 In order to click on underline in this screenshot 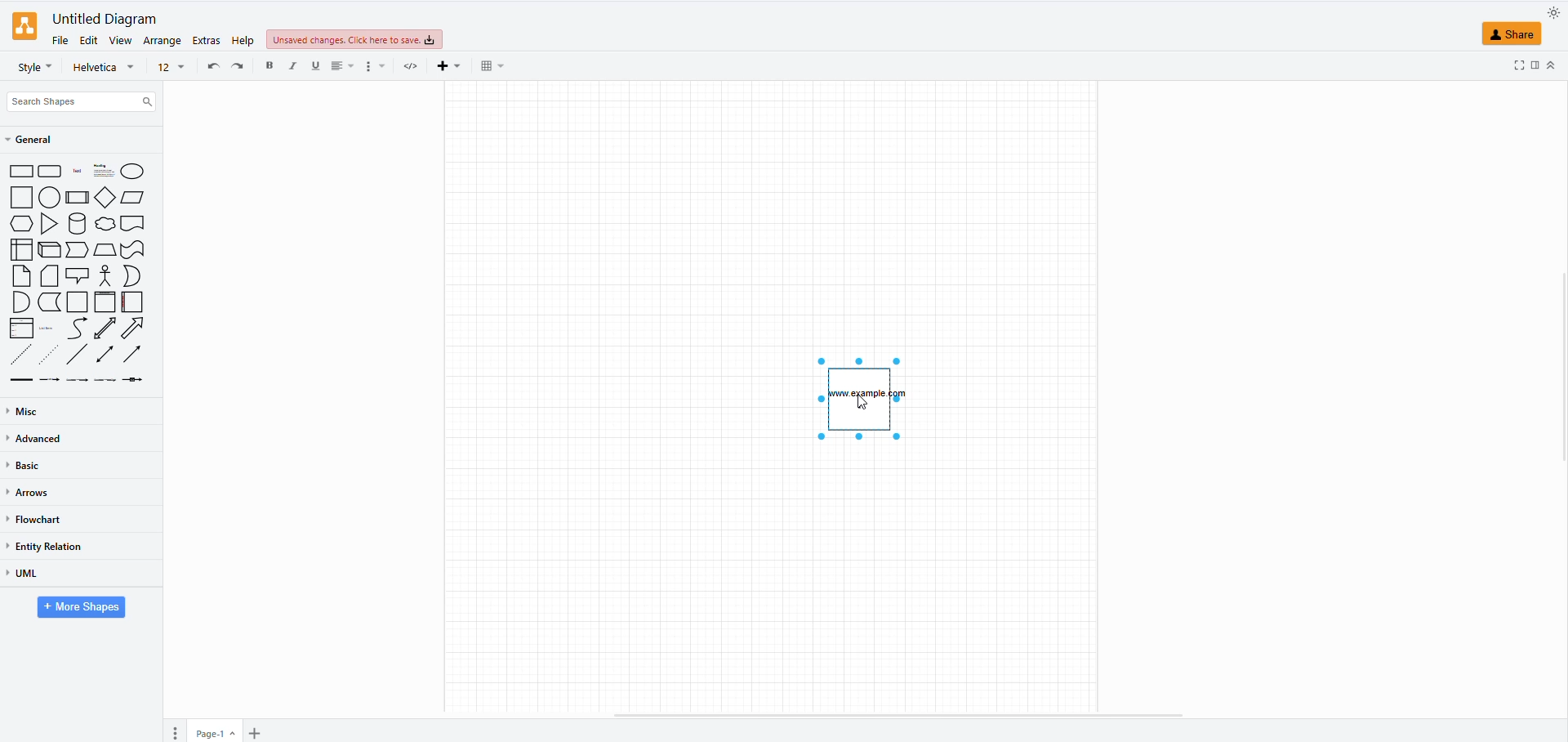, I will do `click(316, 66)`.